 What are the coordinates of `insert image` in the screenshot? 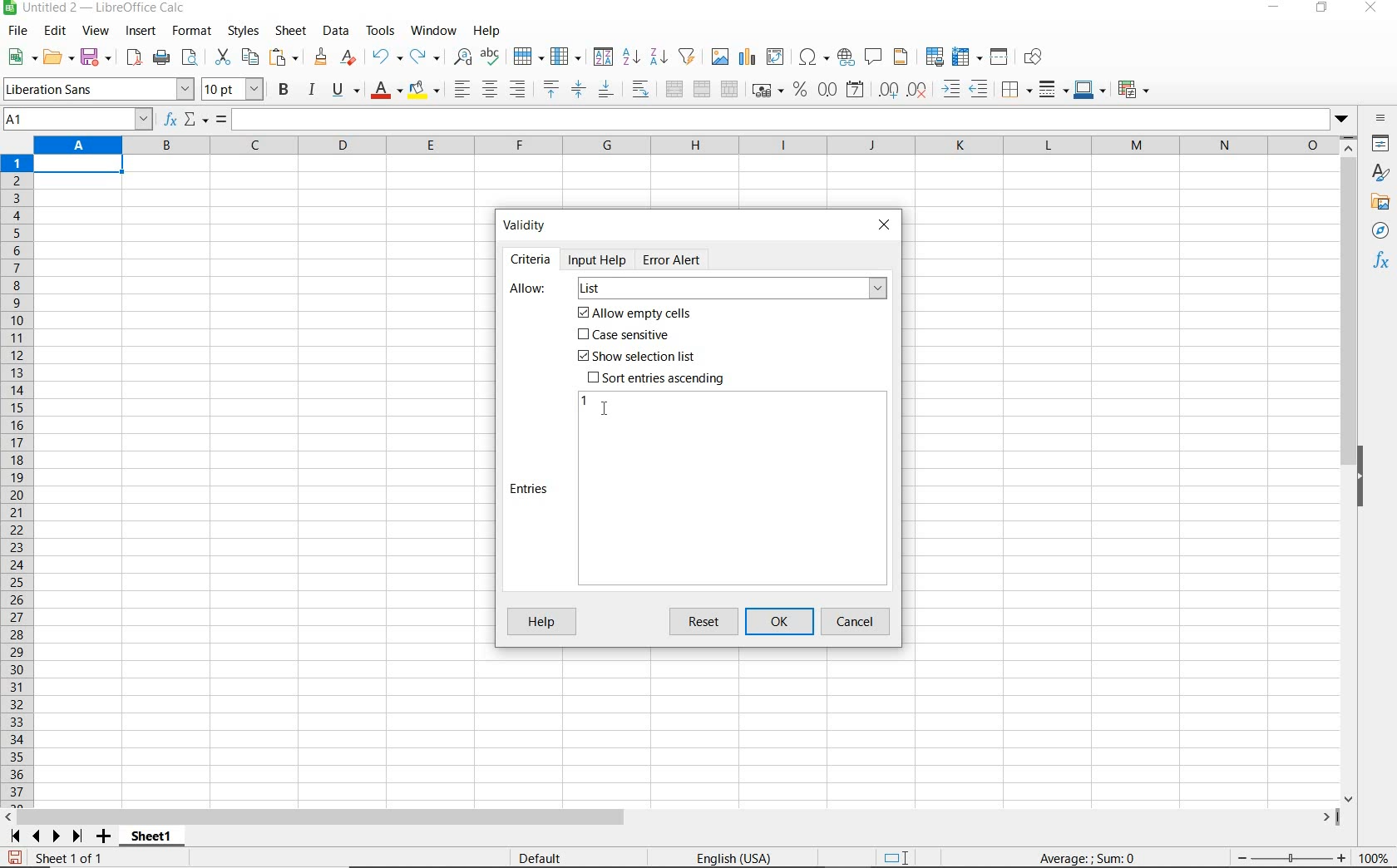 It's located at (722, 57).